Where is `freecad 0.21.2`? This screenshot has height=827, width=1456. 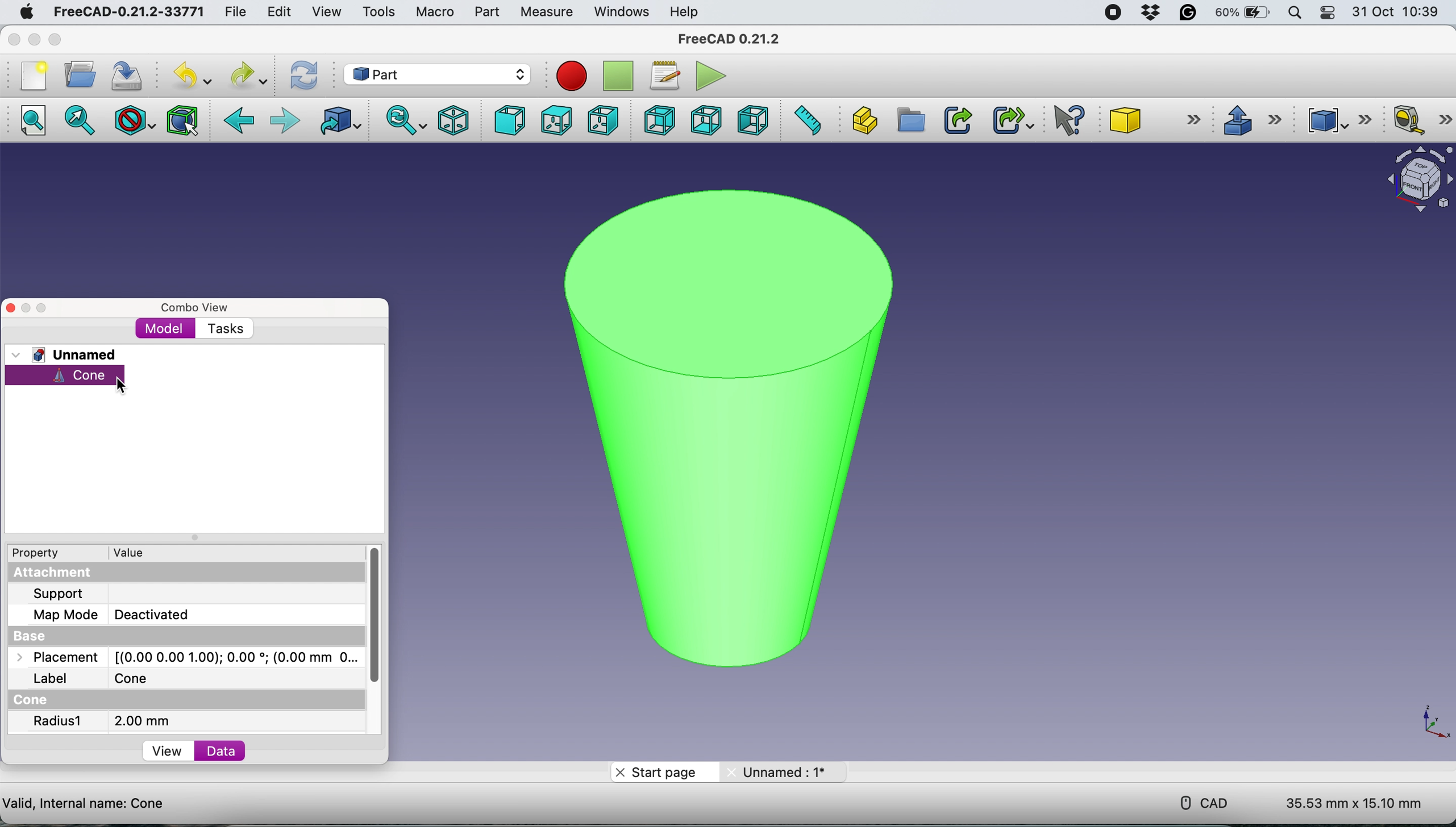 freecad 0.21.2 is located at coordinates (726, 39).